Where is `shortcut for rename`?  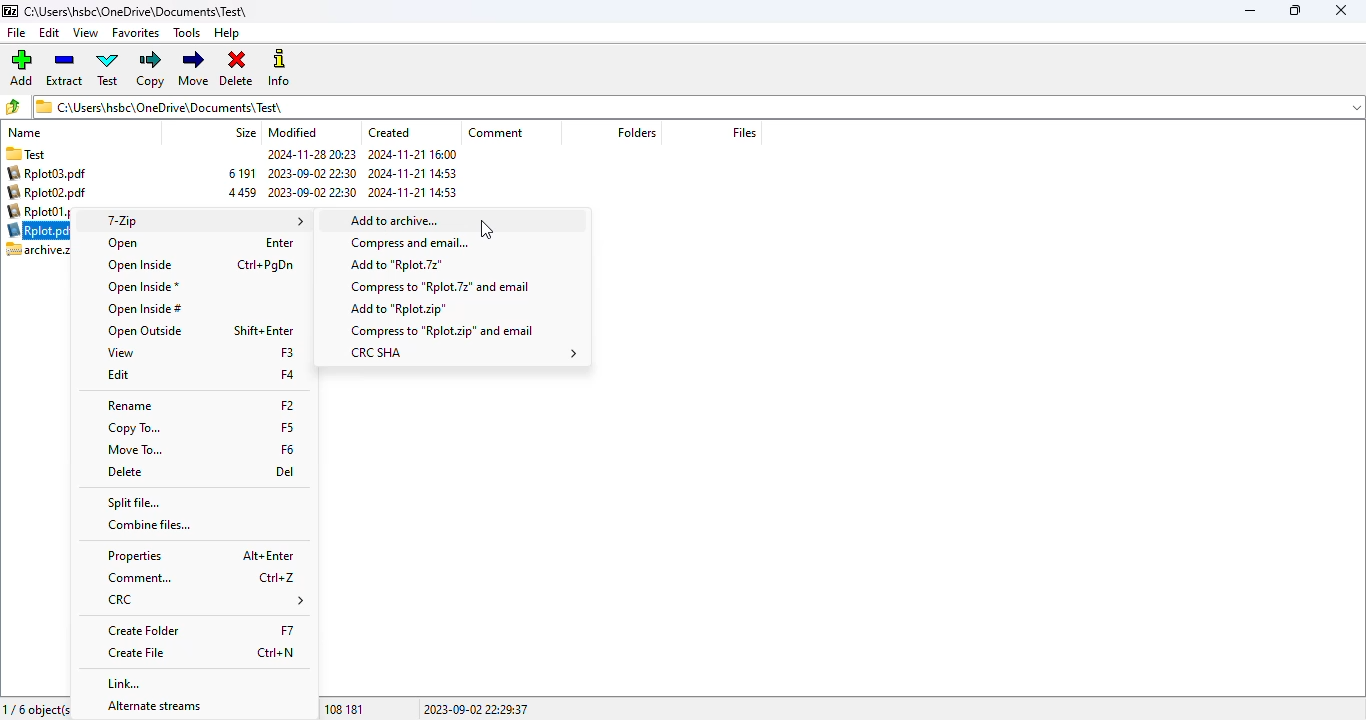 shortcut for rename is located at coordinates (288, 405).